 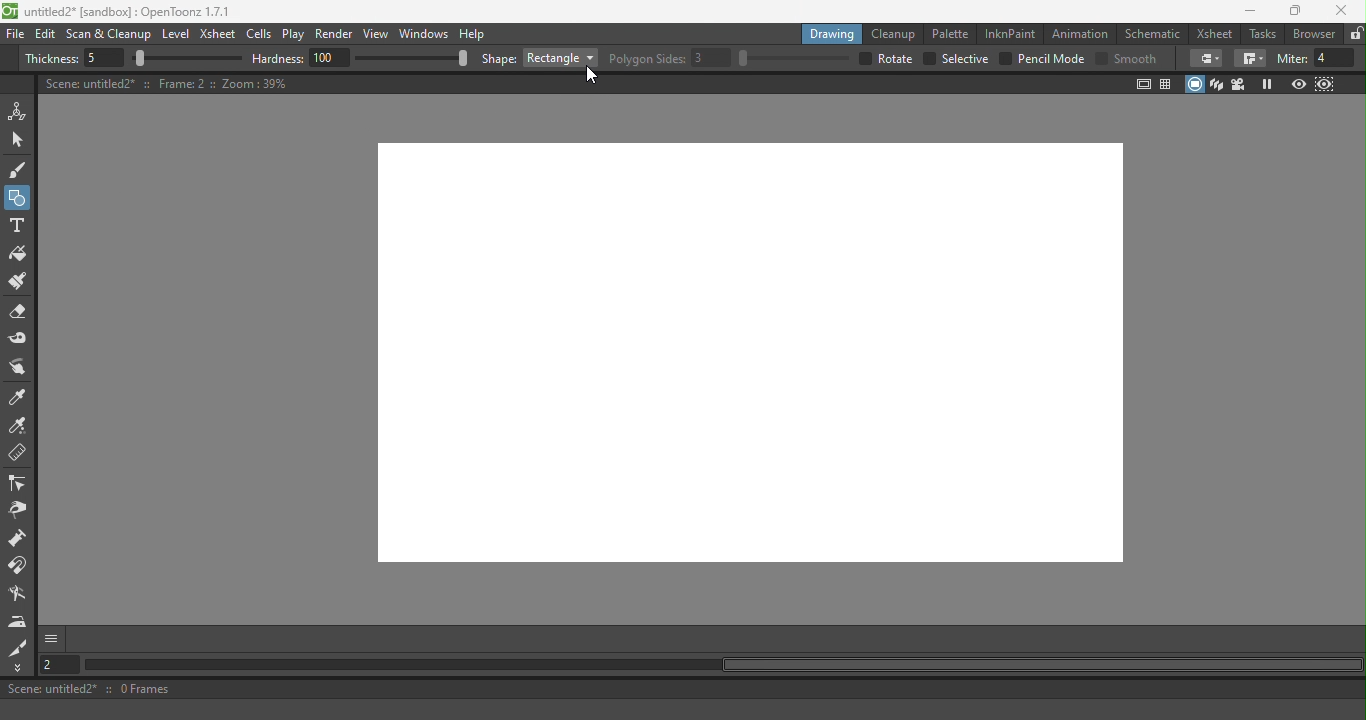 I want to click on Thickness, so click(x=133, y=58).